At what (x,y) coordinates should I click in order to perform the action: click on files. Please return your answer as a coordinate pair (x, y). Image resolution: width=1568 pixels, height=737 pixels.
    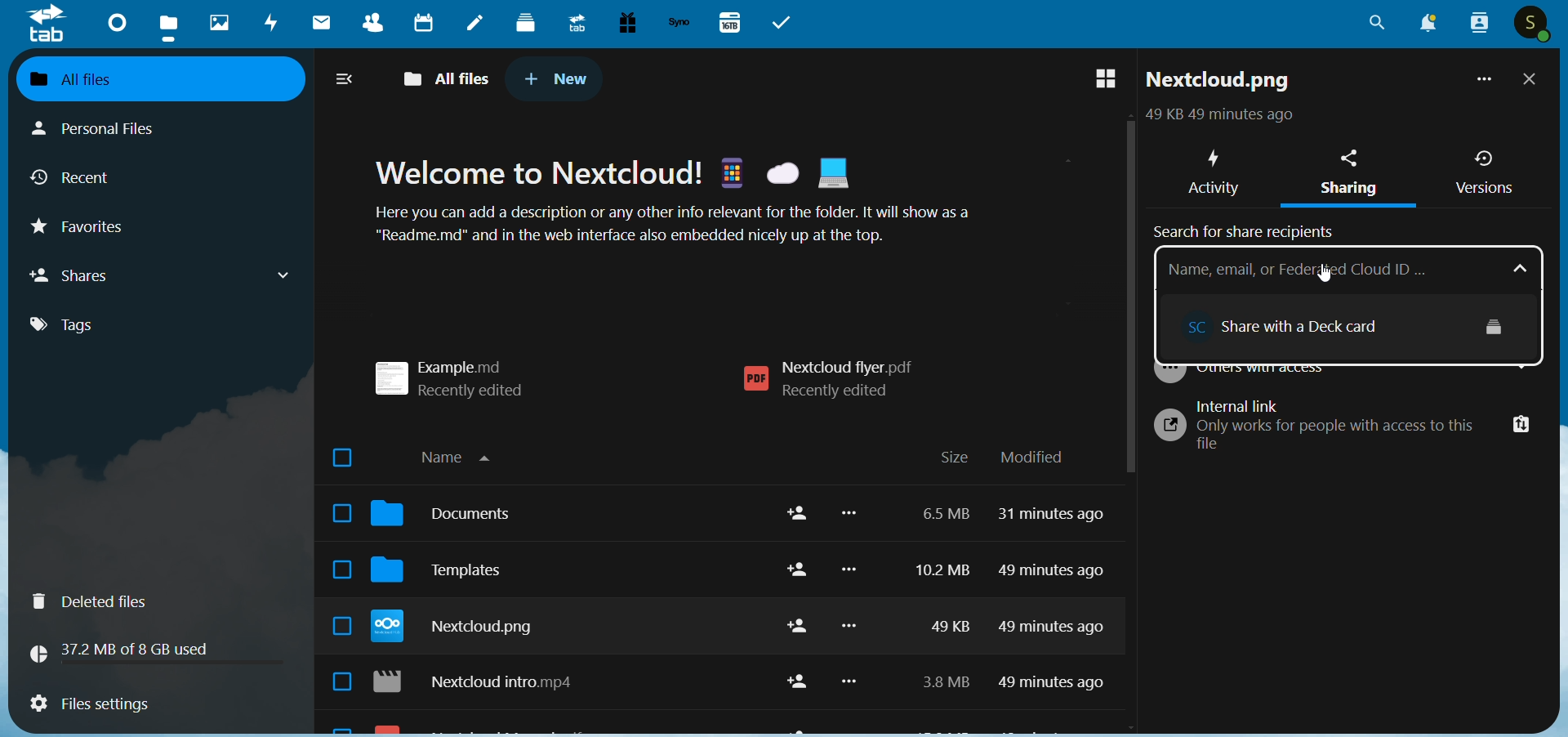
    Looking at the image, I should click on (171, 26).